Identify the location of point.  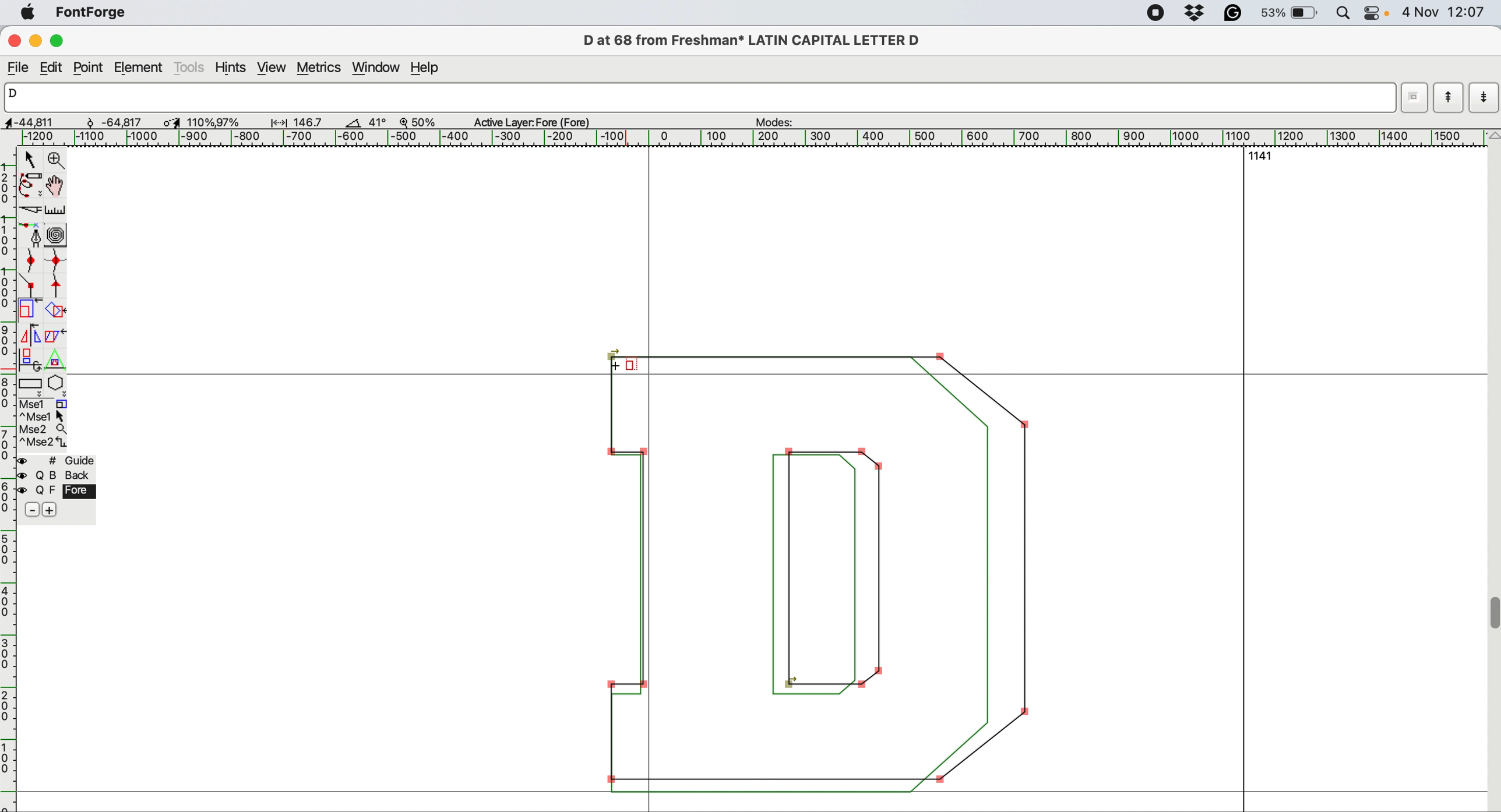
(89, 68).